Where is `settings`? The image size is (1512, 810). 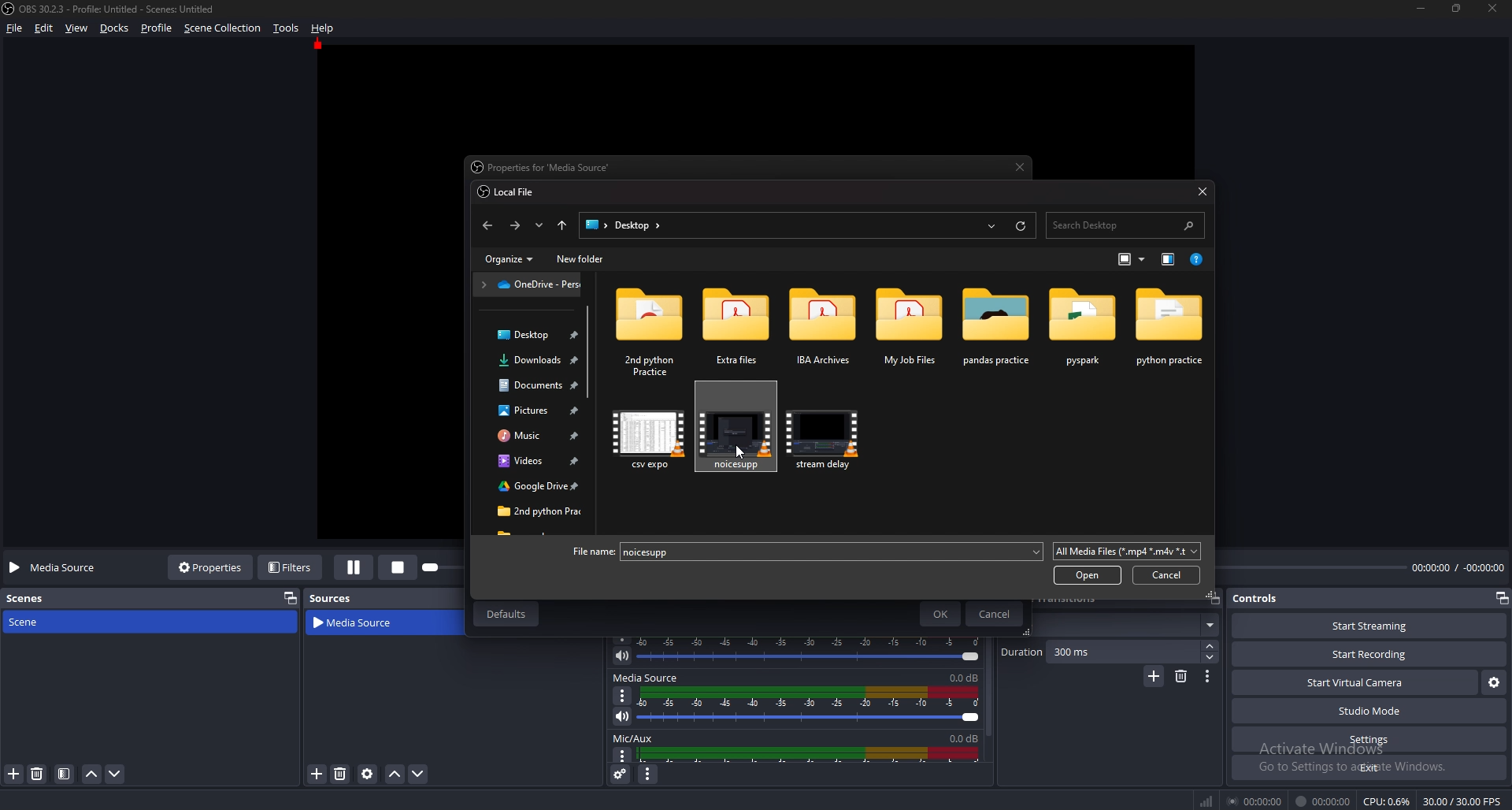
settings is located at coordinates (1367, 740).